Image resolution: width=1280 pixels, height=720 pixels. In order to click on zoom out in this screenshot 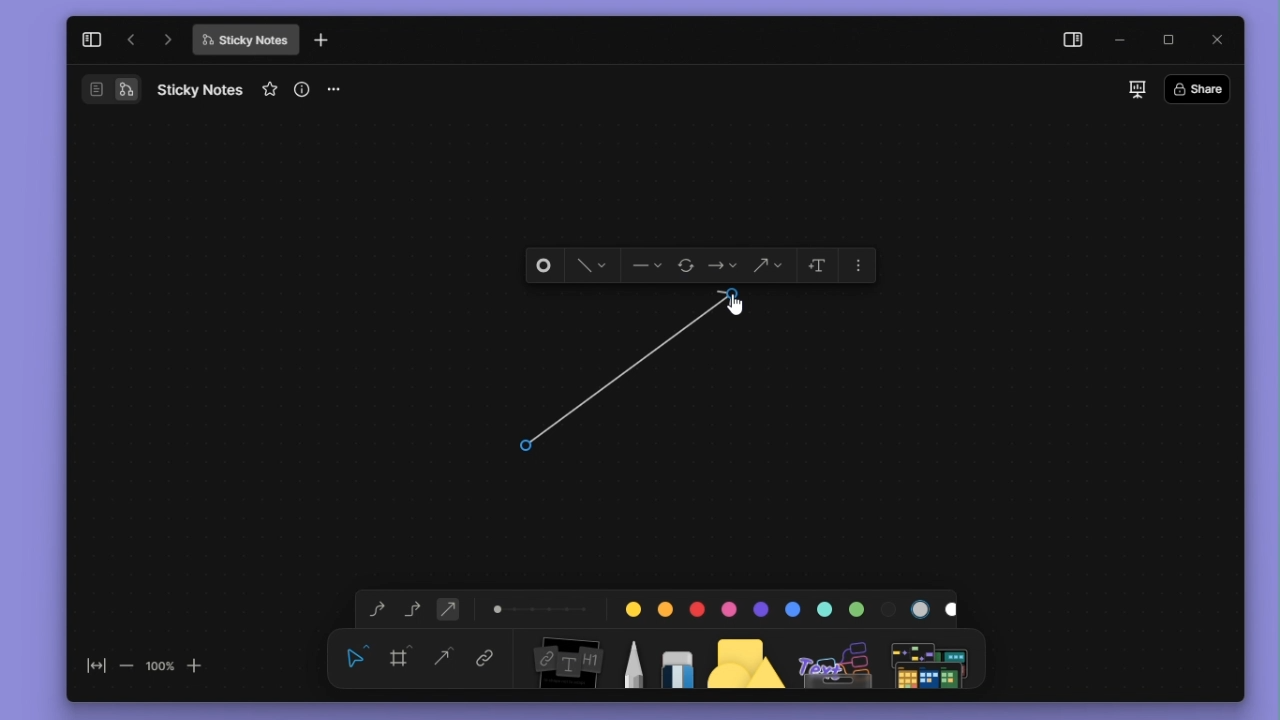, I will do `click(125, 665)`.